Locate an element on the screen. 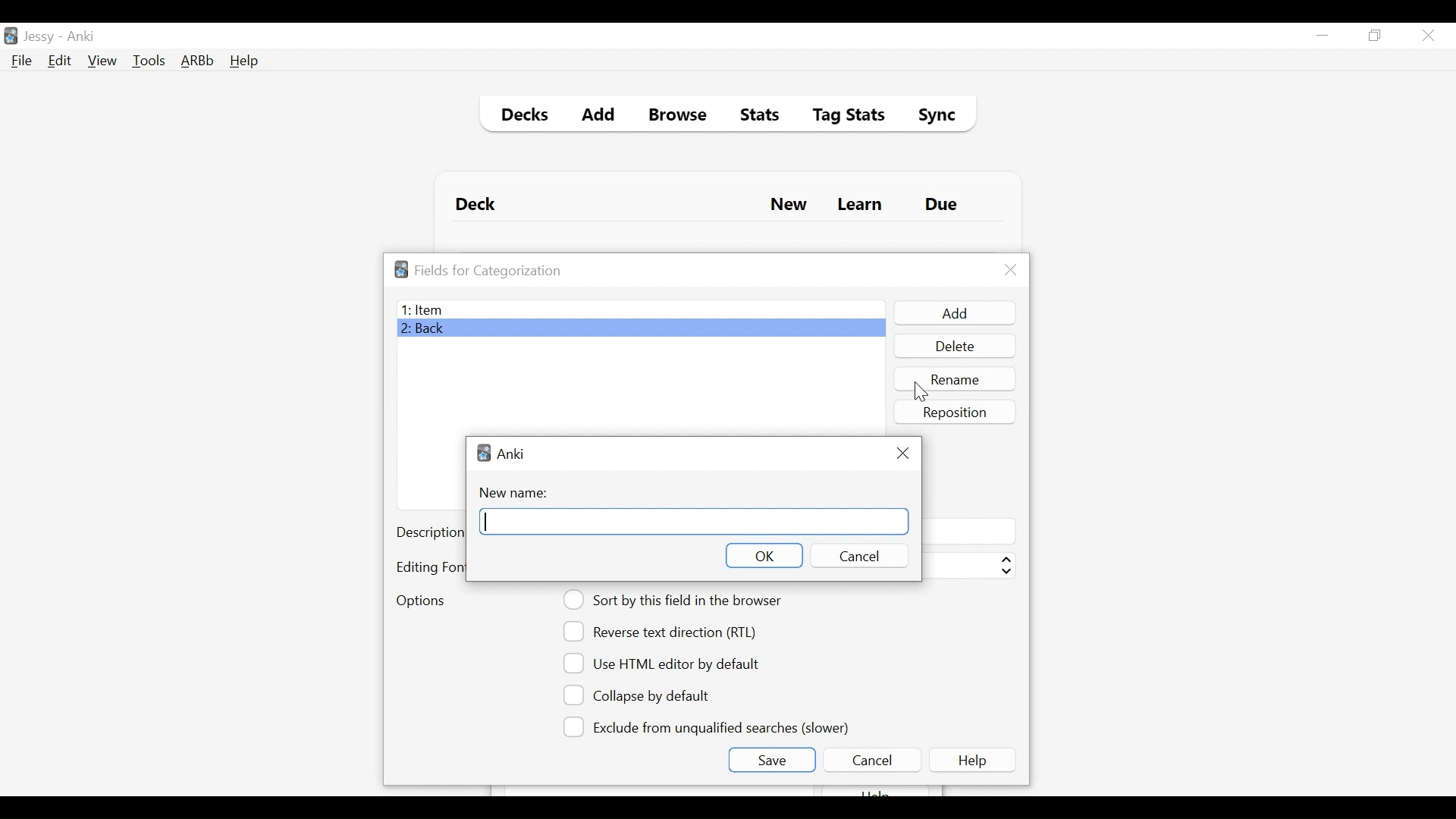  Close is located at coordinates (1011, 270).